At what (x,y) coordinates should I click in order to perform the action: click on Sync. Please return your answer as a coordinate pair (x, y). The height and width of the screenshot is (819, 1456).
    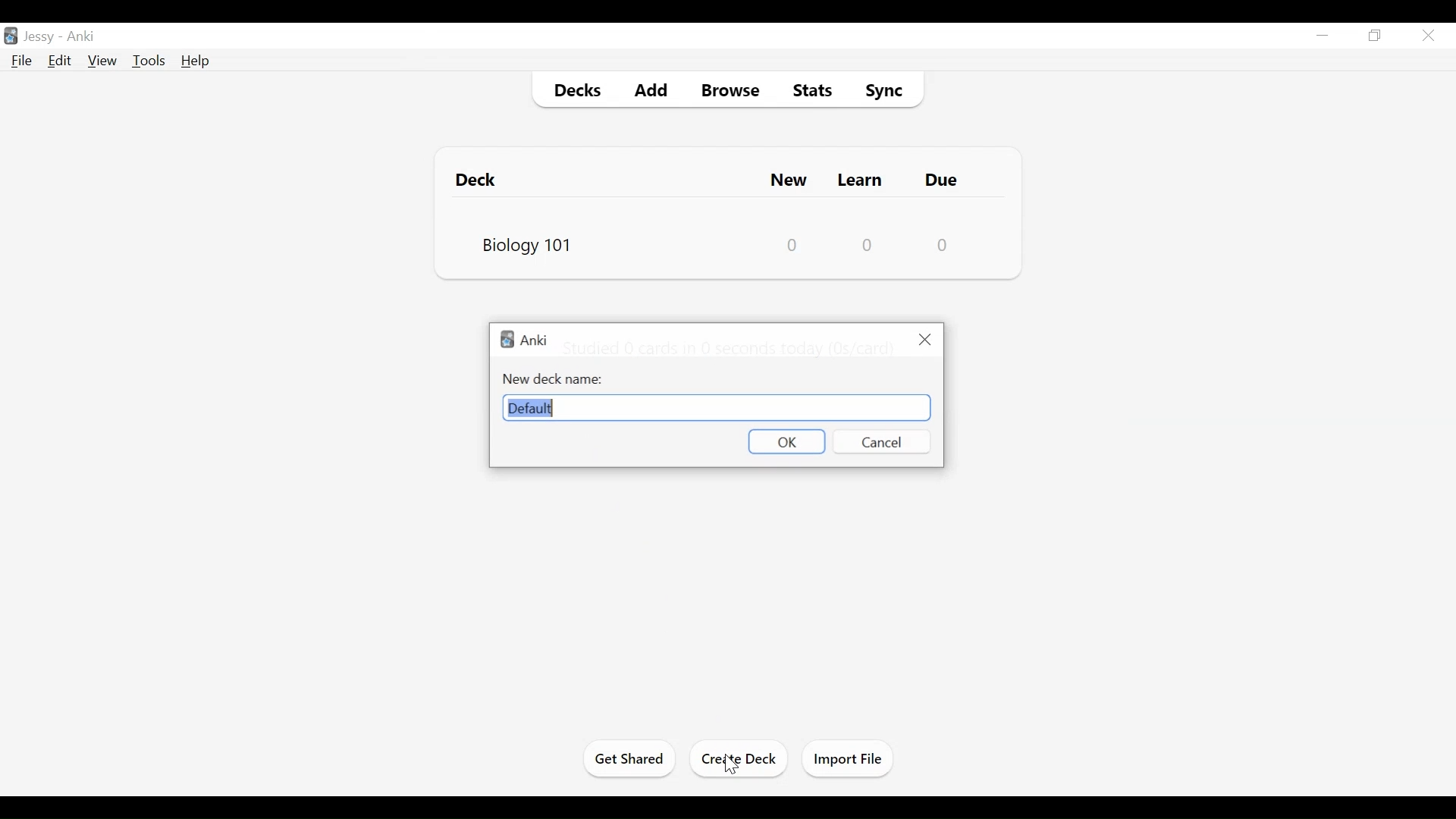
    Looking at the image, I should click on (886, 88).